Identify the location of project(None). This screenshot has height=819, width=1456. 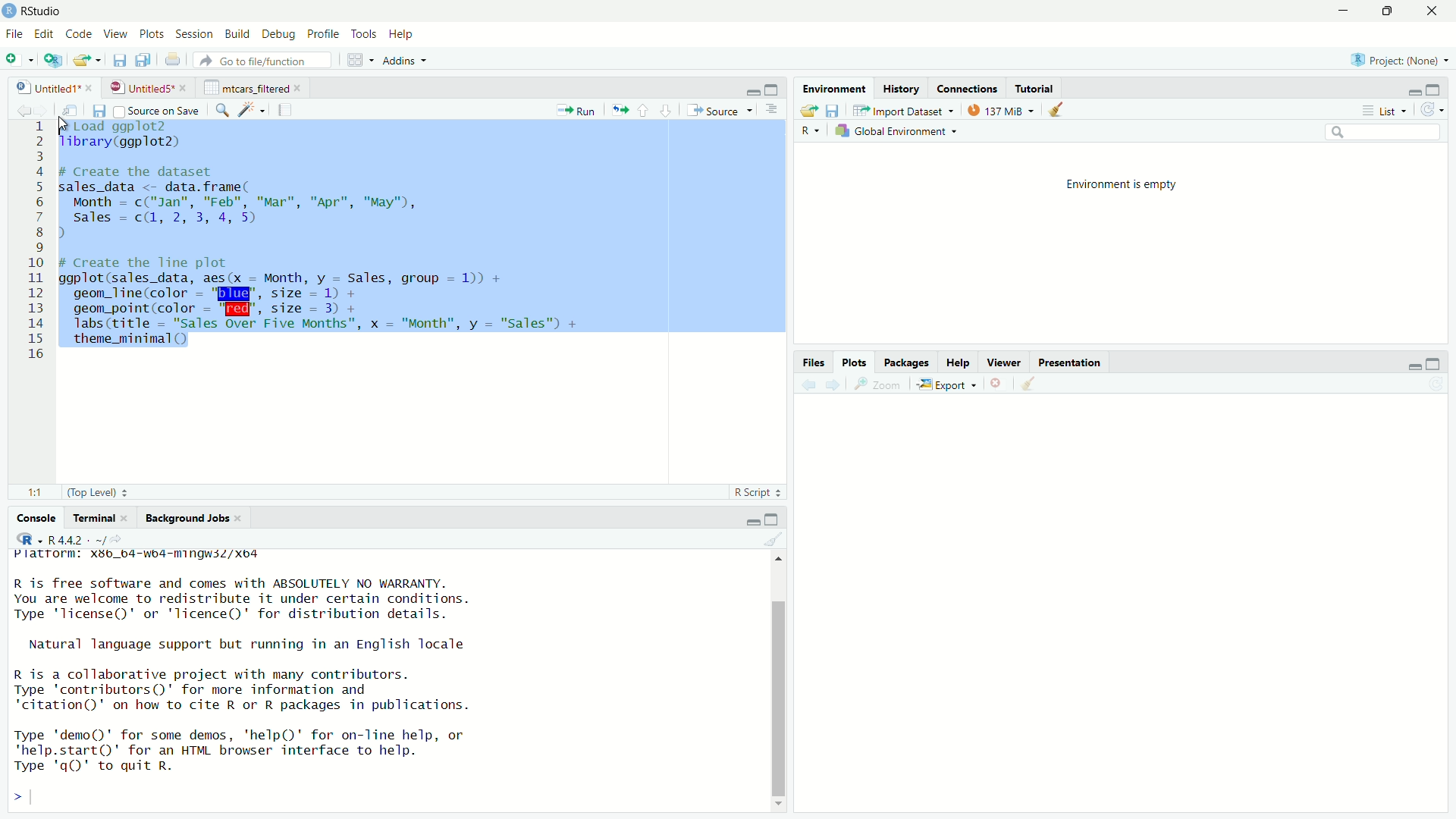
(1394, 60).